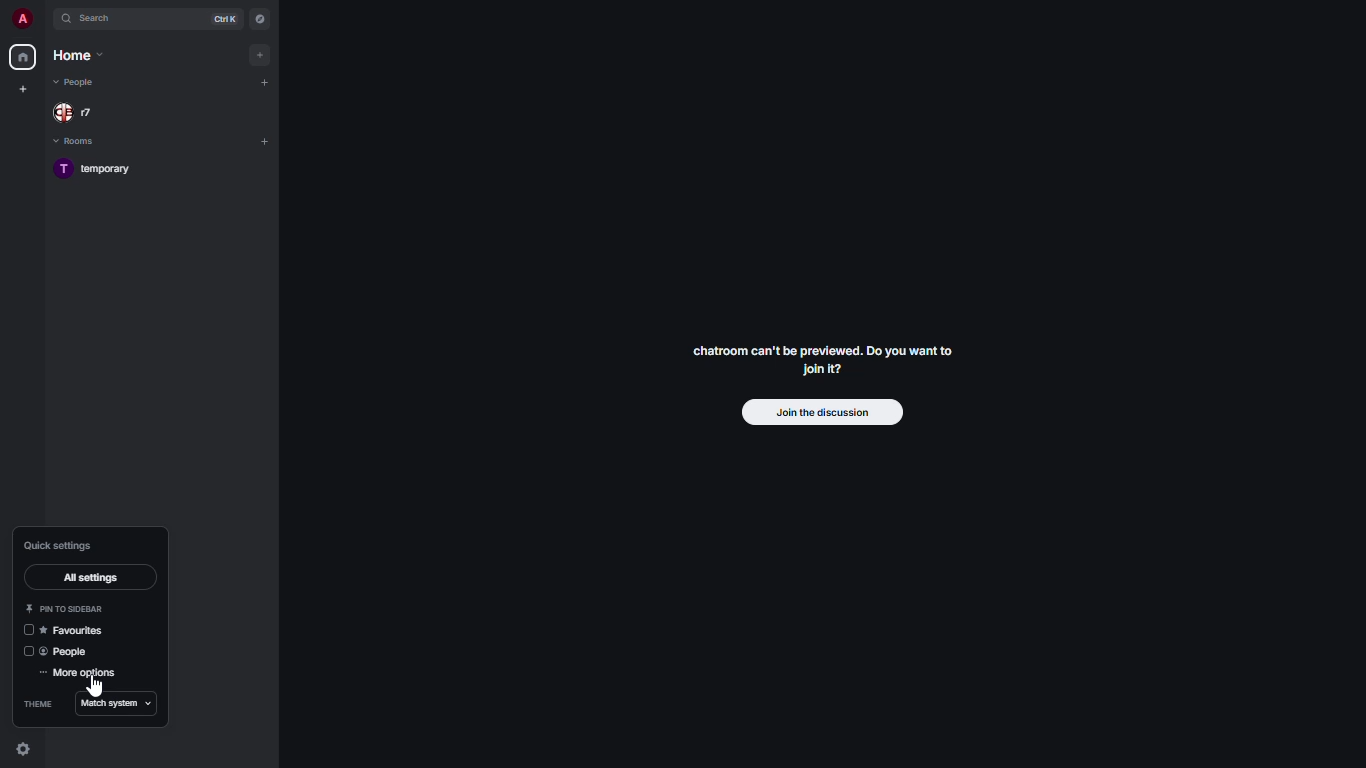  I want to click on pin to sidebar, so click(65, 609).